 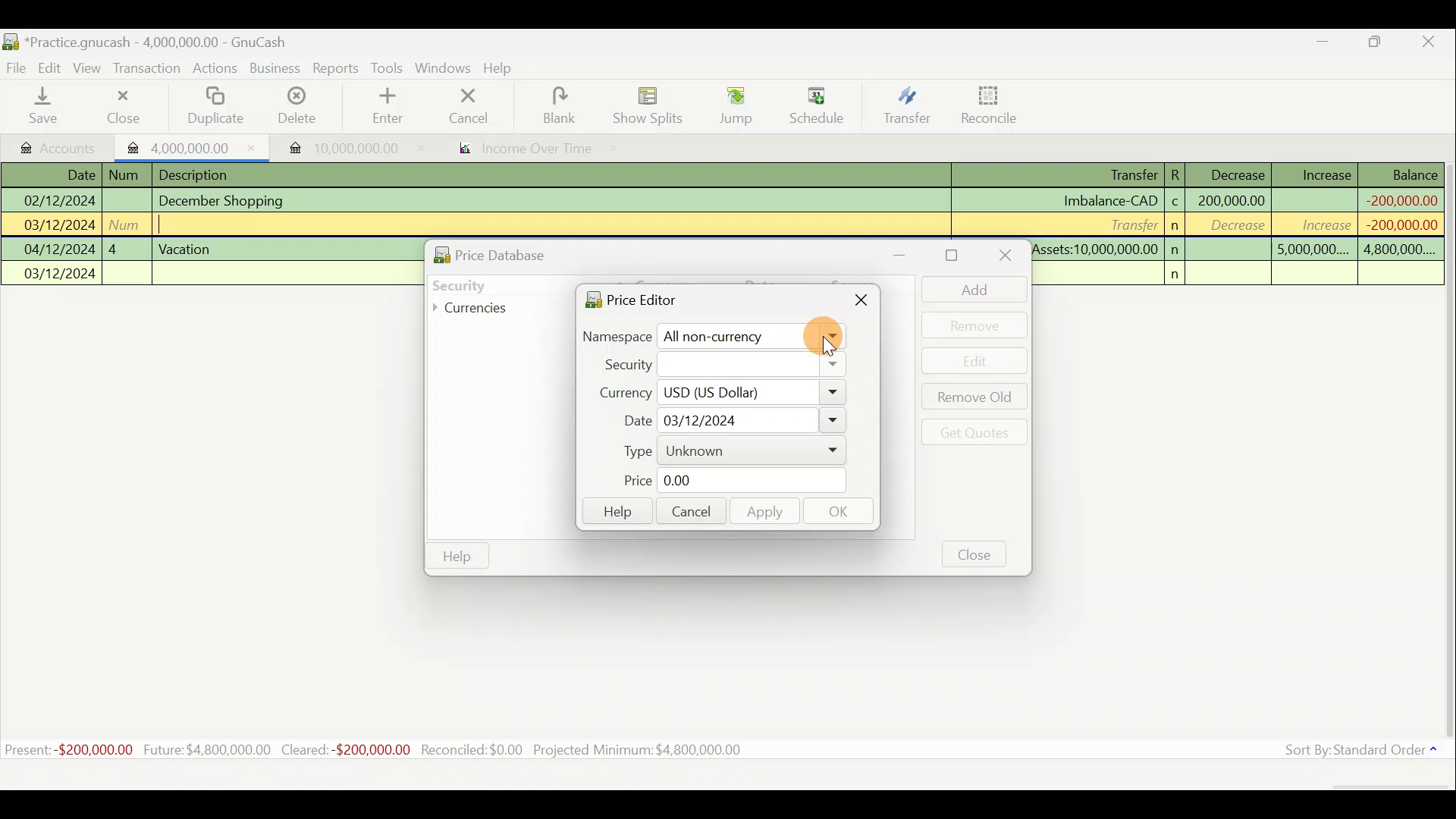 What do you see at coordinates (58, 199) in the screenshot?
I see `02/12/2024` at bounding box center [58, 199].